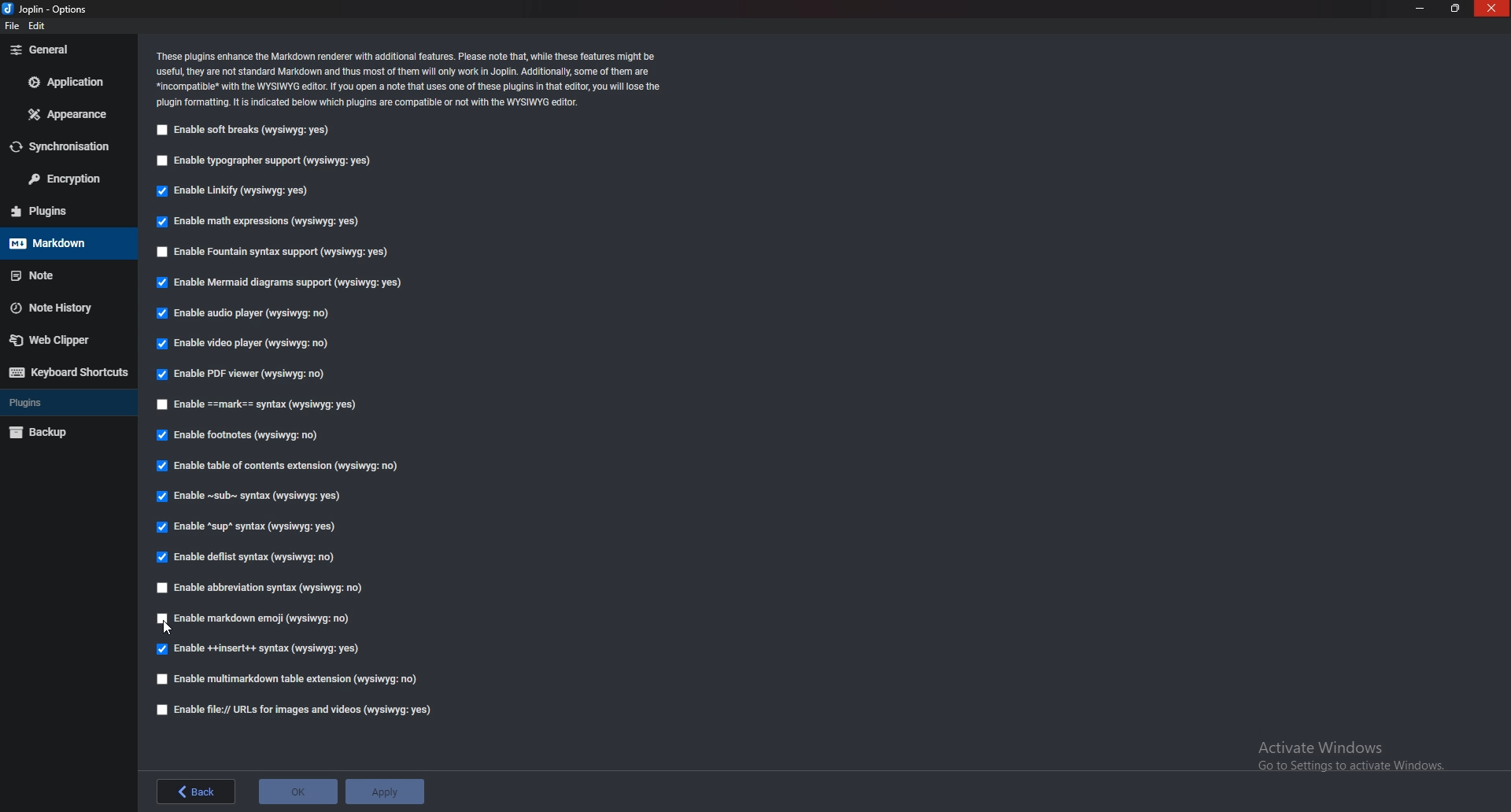  I want to click on enable insert syntax, so click(258, 649).